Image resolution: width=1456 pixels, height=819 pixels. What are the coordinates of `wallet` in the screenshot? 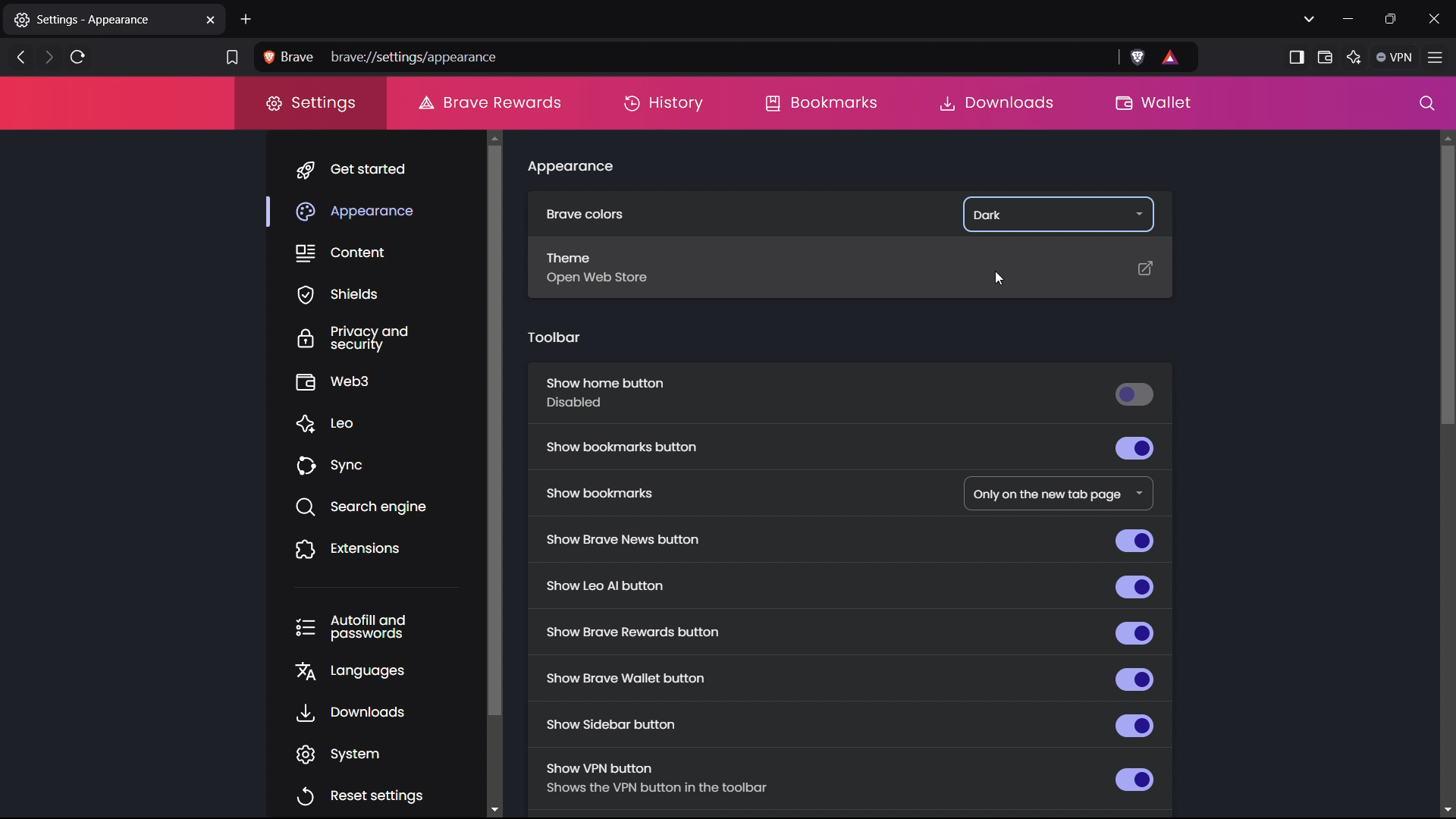 It's located at (1326, 56).